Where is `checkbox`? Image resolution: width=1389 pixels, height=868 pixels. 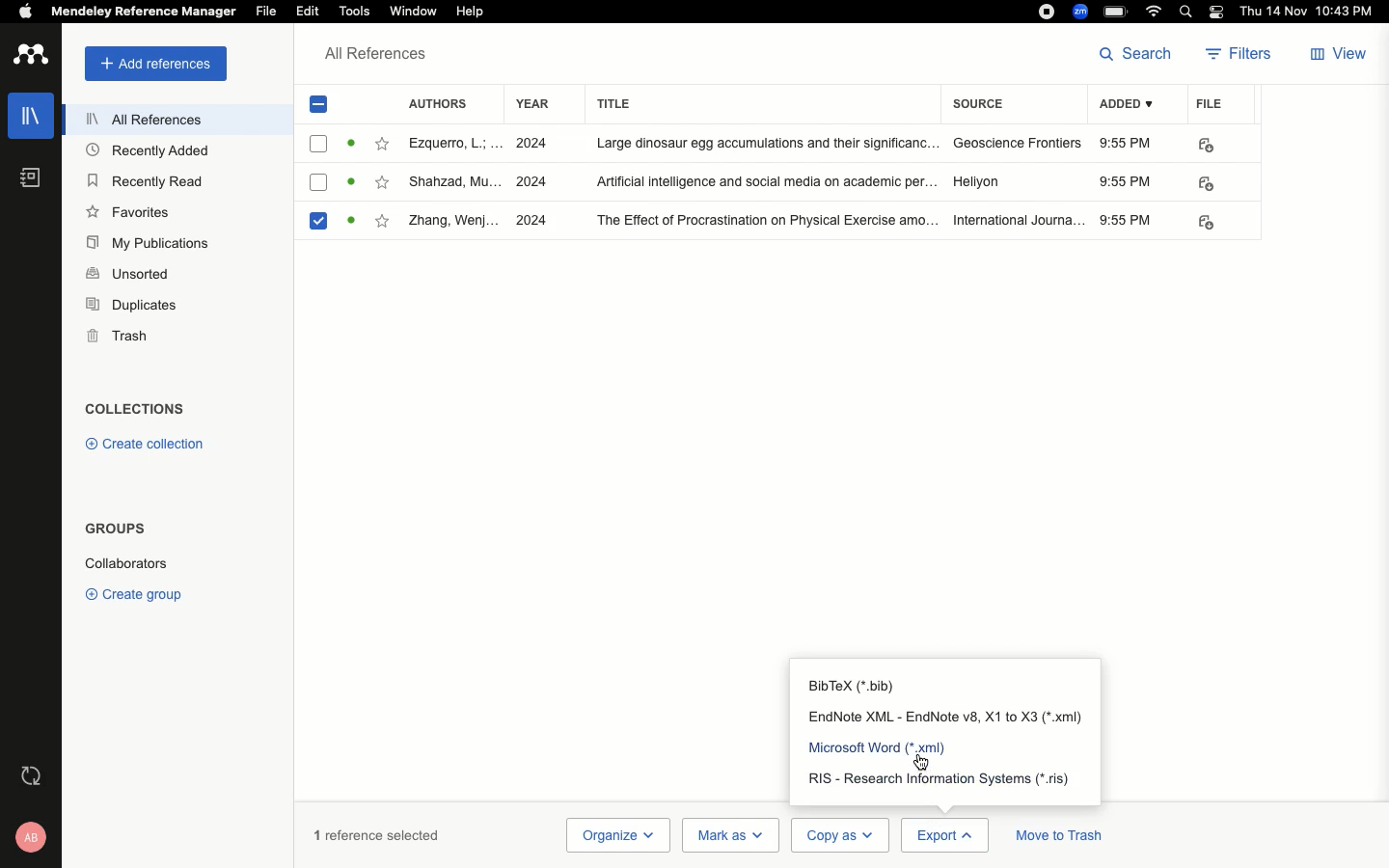 checkbox is located at coordinates (319, 144).